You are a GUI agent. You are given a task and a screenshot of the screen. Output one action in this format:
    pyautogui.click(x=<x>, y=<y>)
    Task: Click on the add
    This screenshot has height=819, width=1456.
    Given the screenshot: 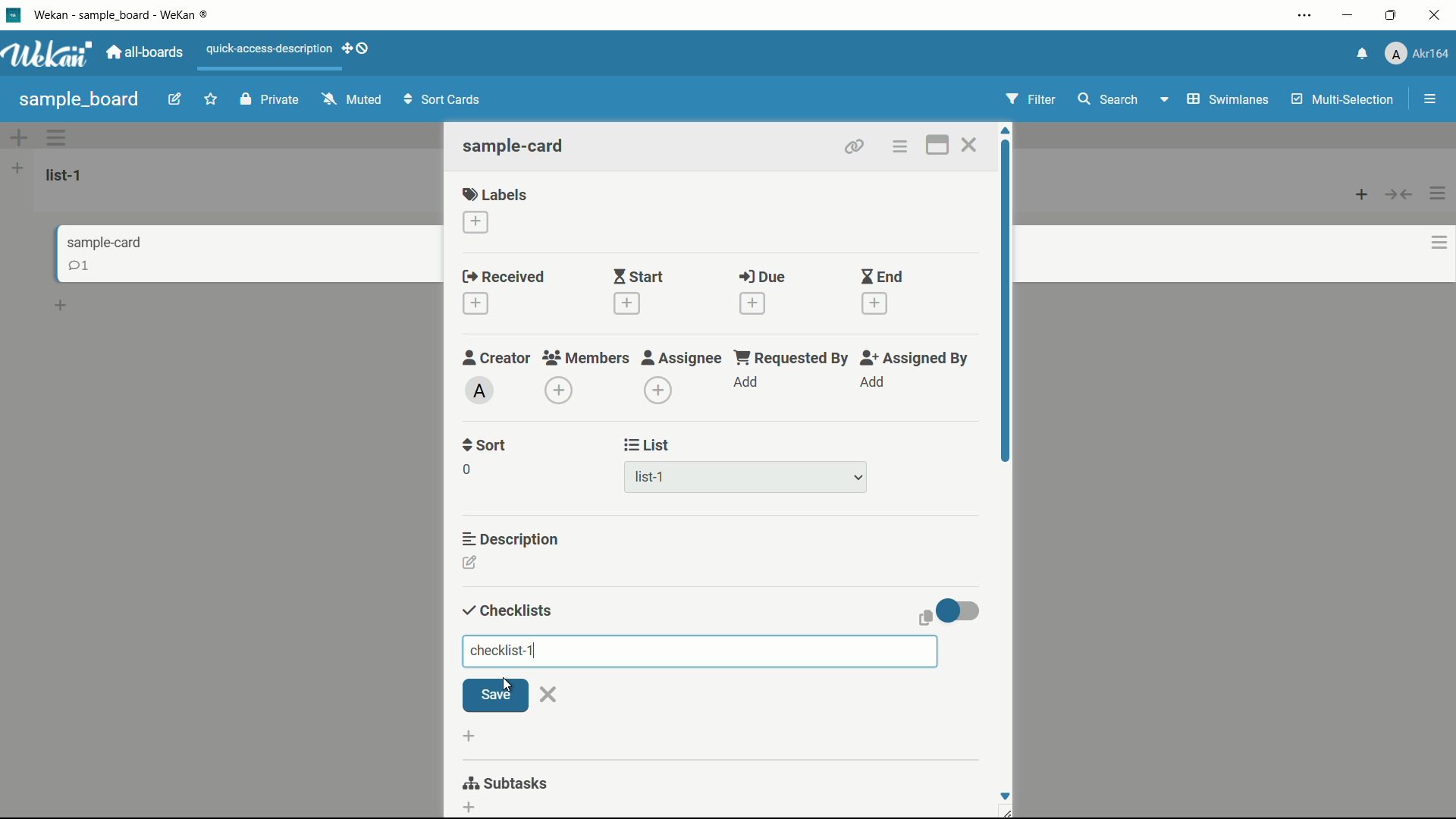 What is the action you would take?
    pyautogui.click(x=61, y=303)
    